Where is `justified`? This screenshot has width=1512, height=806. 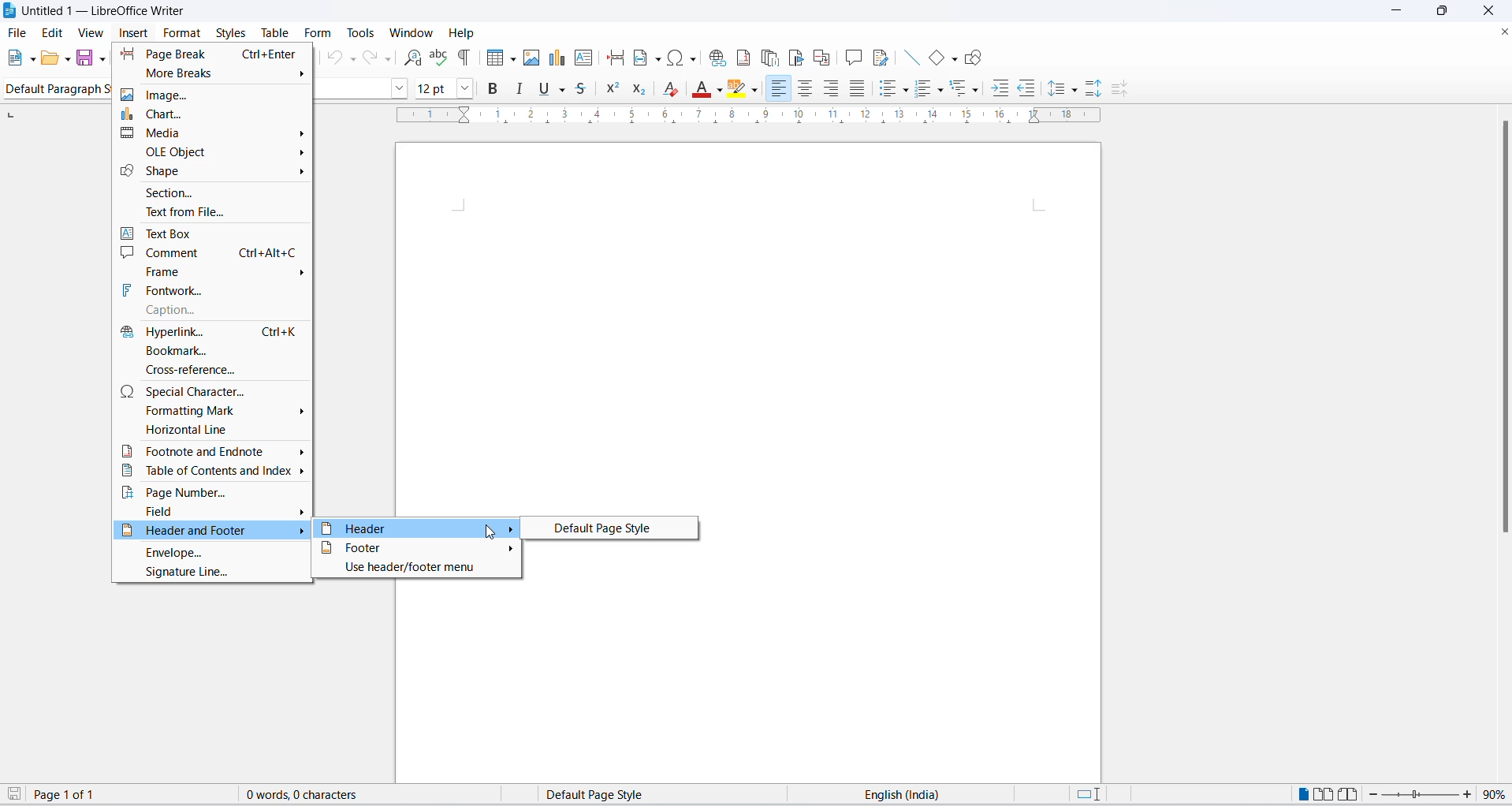
justified is located at coordinates (855, 89).